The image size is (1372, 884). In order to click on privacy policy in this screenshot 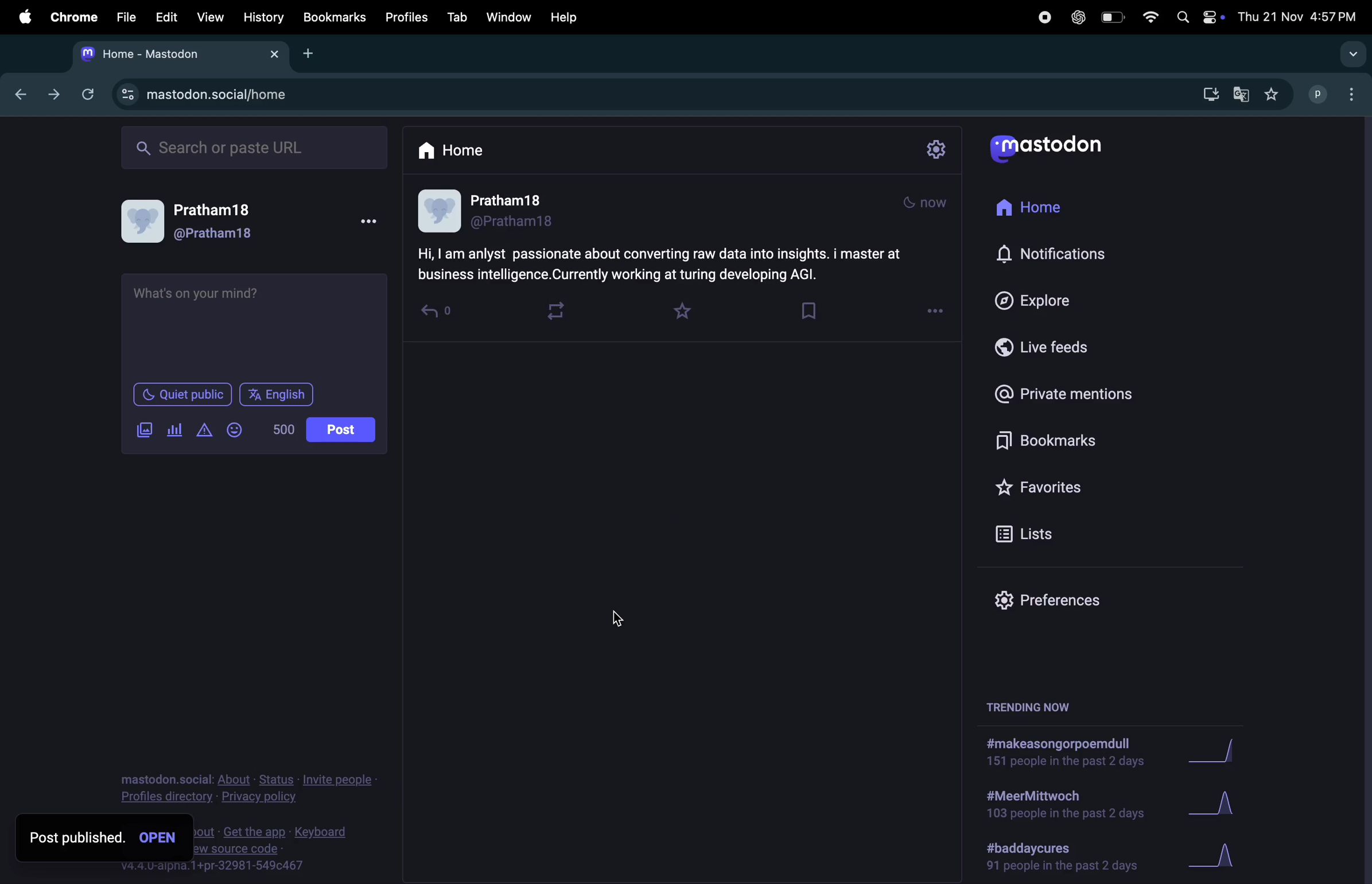, I will do `click(249, 790)`.